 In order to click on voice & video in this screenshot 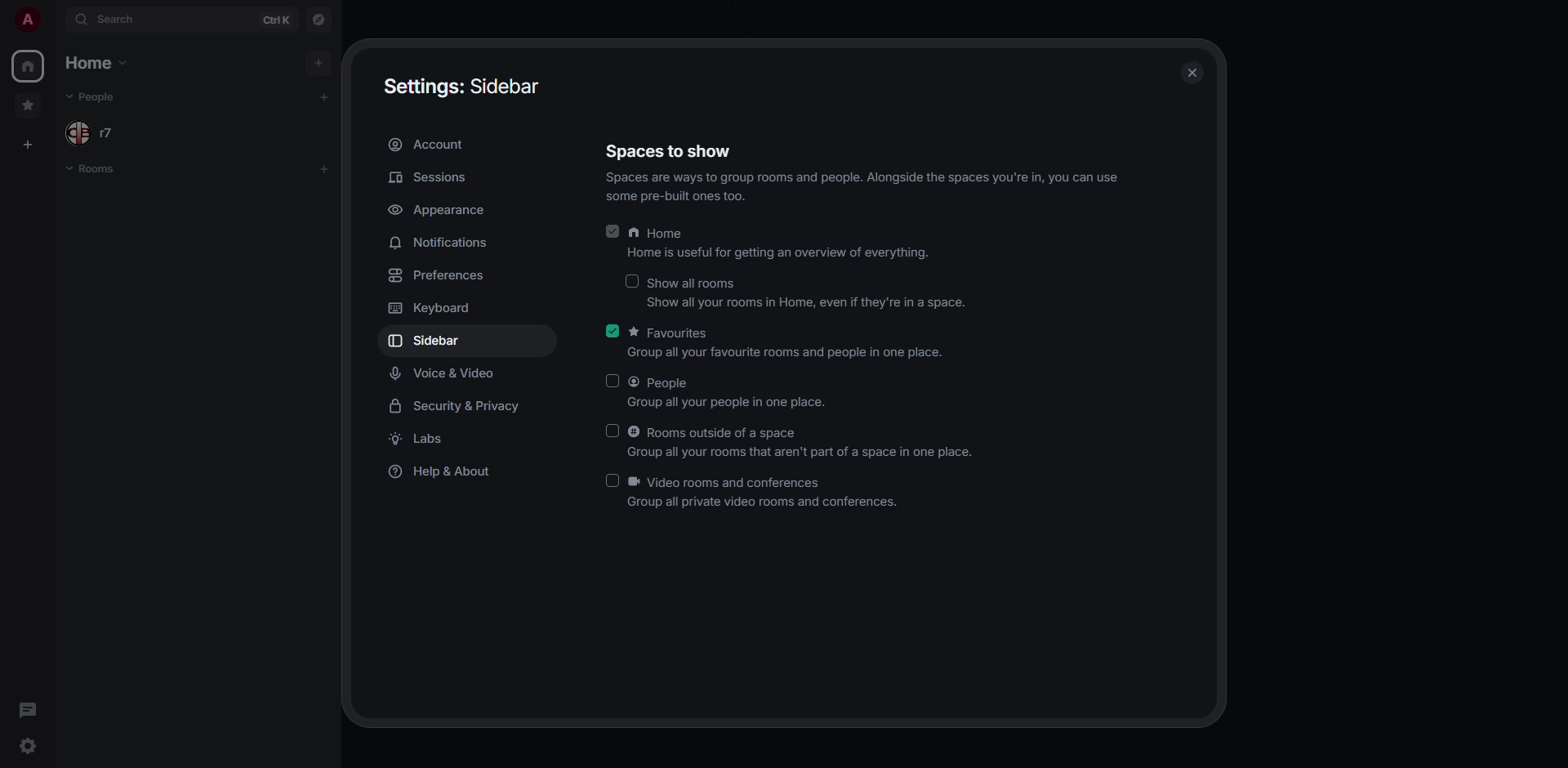, I will do `click(446, 373)`.